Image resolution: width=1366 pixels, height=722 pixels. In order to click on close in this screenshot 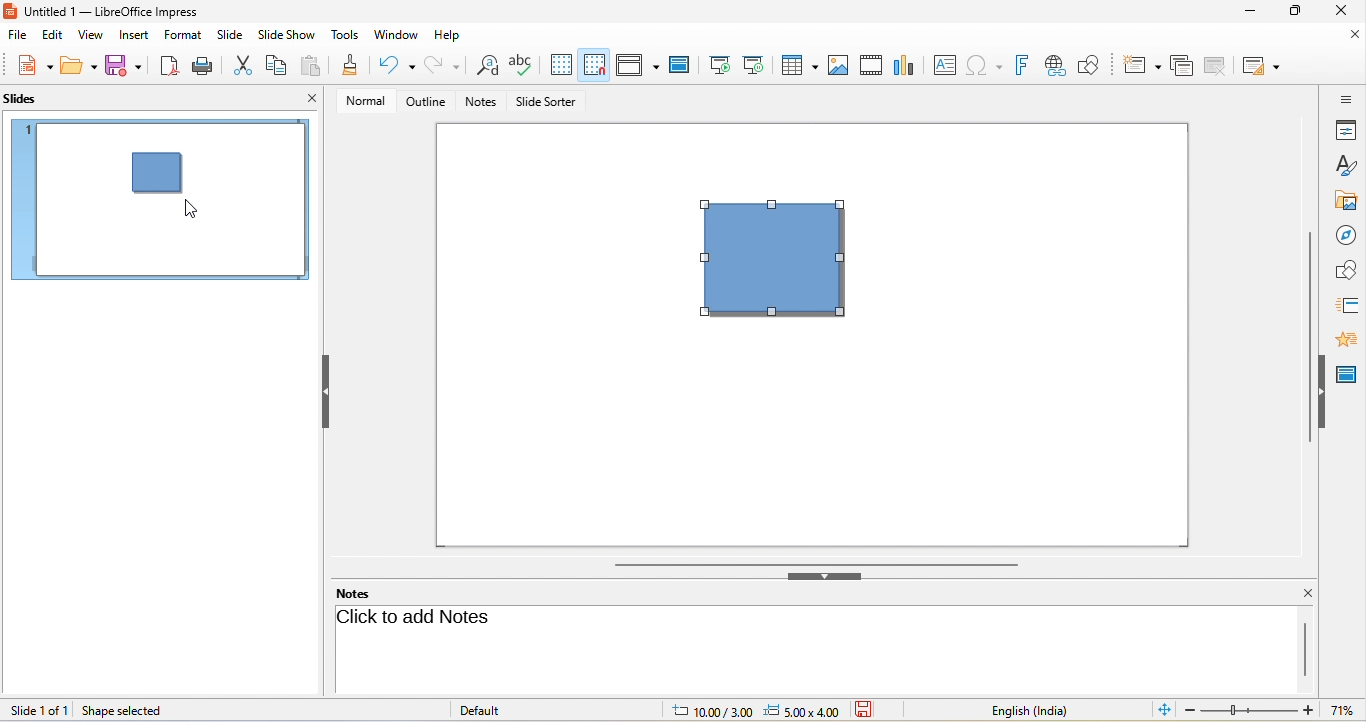, I will do `click(1346, 13)`.